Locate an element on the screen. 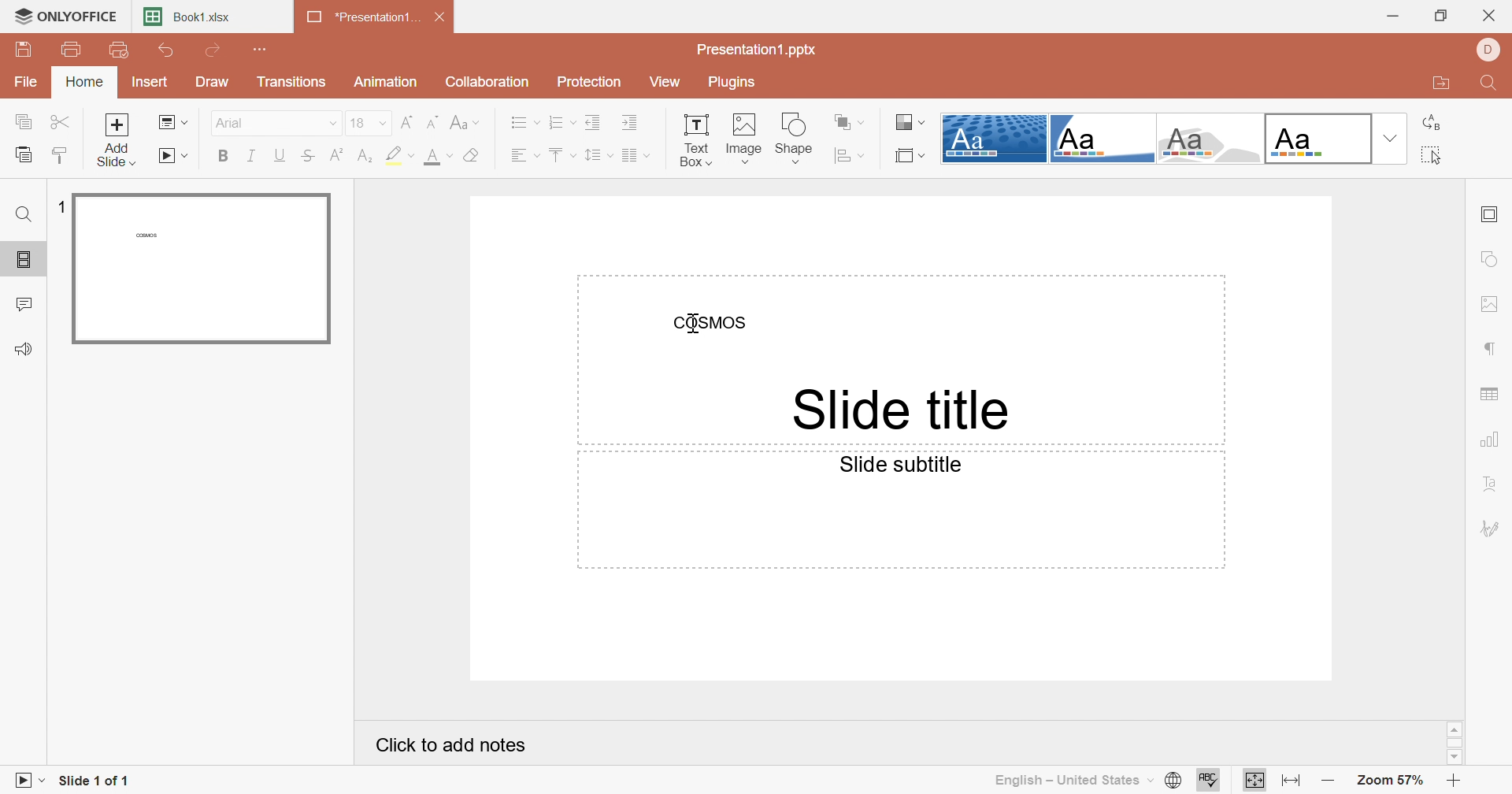 The height and width of the screenshot is (794, 1512). Image settings is located at coordinates (1494, 305).